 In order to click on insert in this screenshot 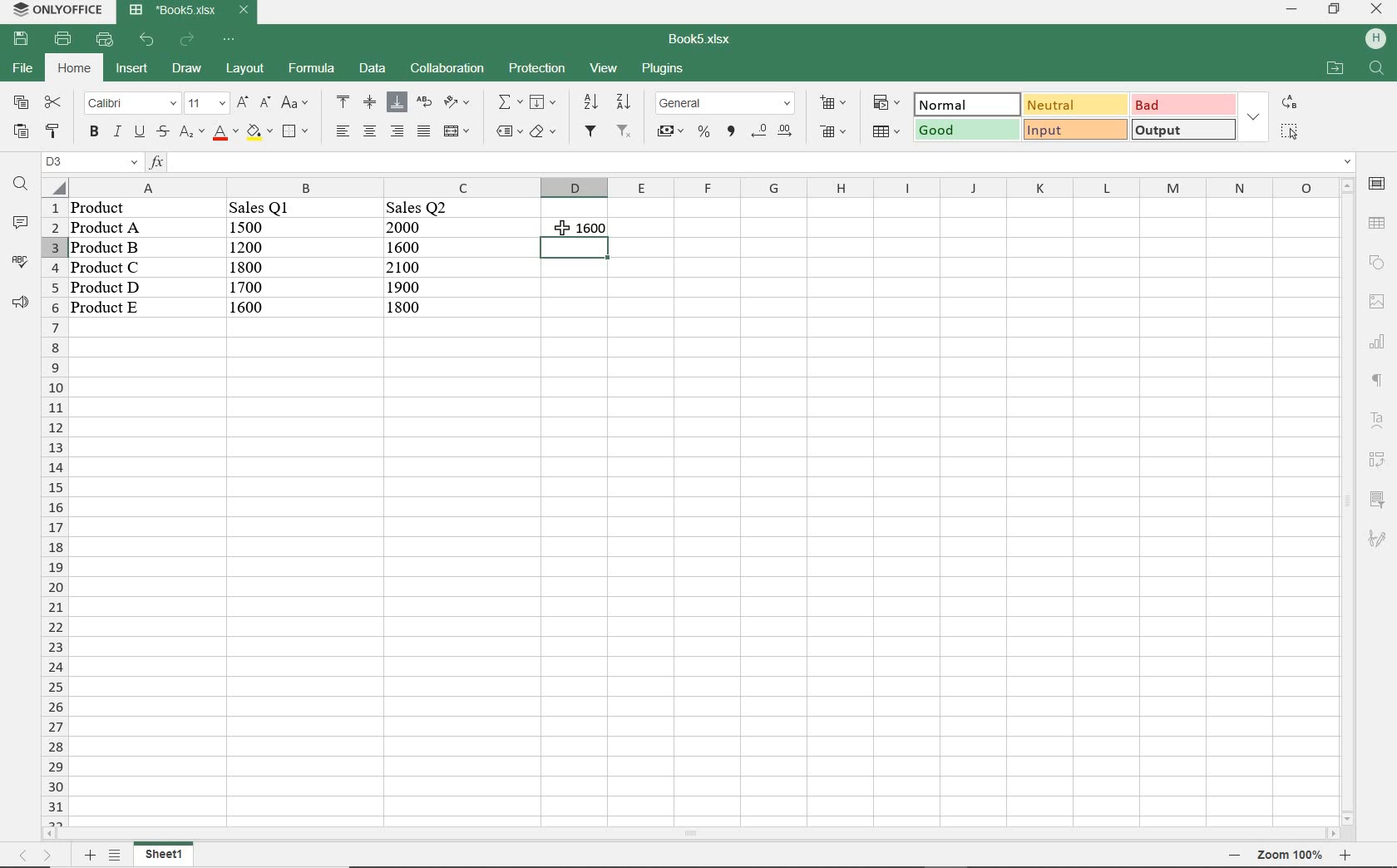, I will do `click(131, 69)`.